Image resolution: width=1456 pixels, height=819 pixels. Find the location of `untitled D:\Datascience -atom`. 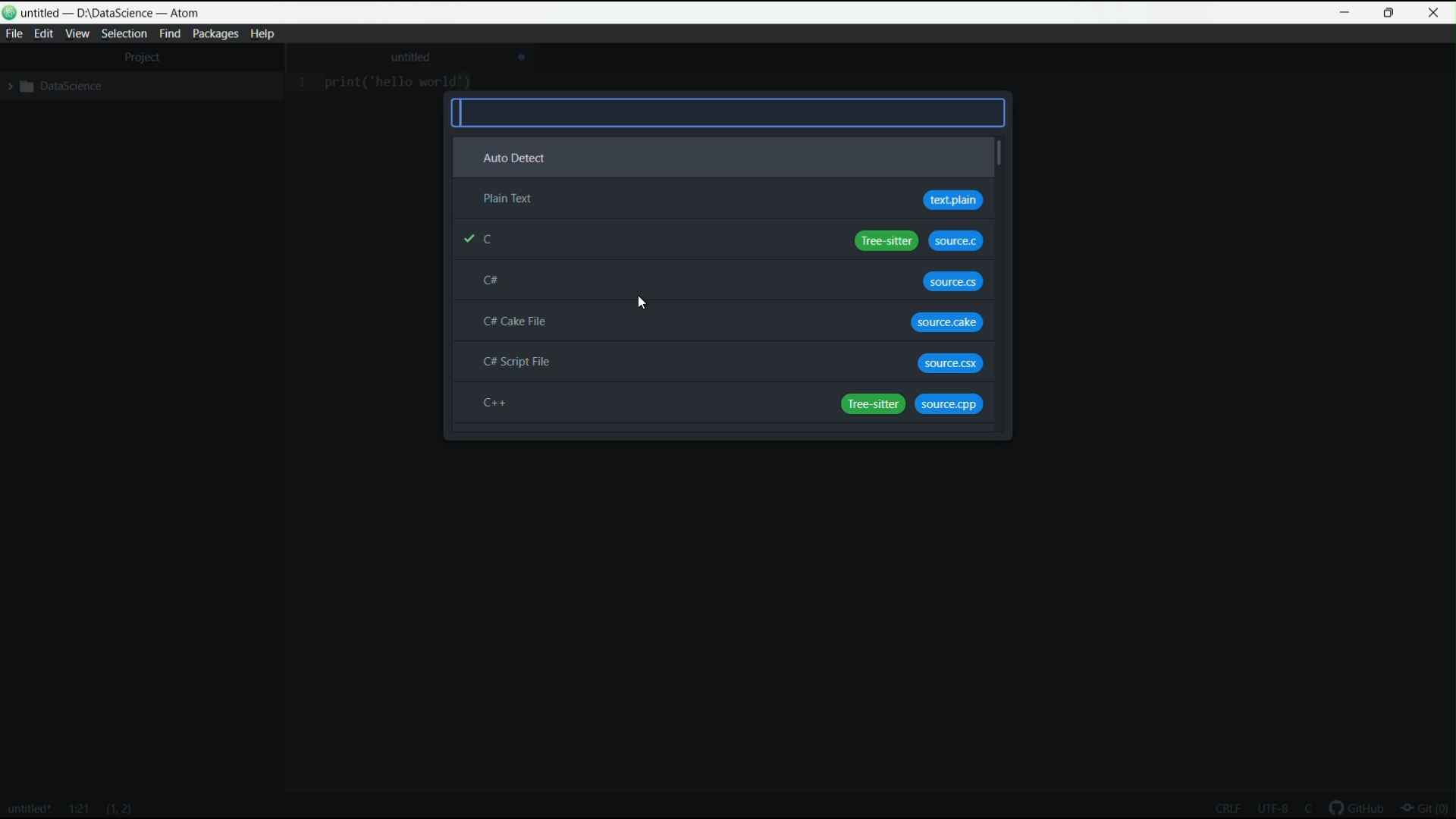

untitled D:\Datascience -atom is located at coordinates (114, 13).